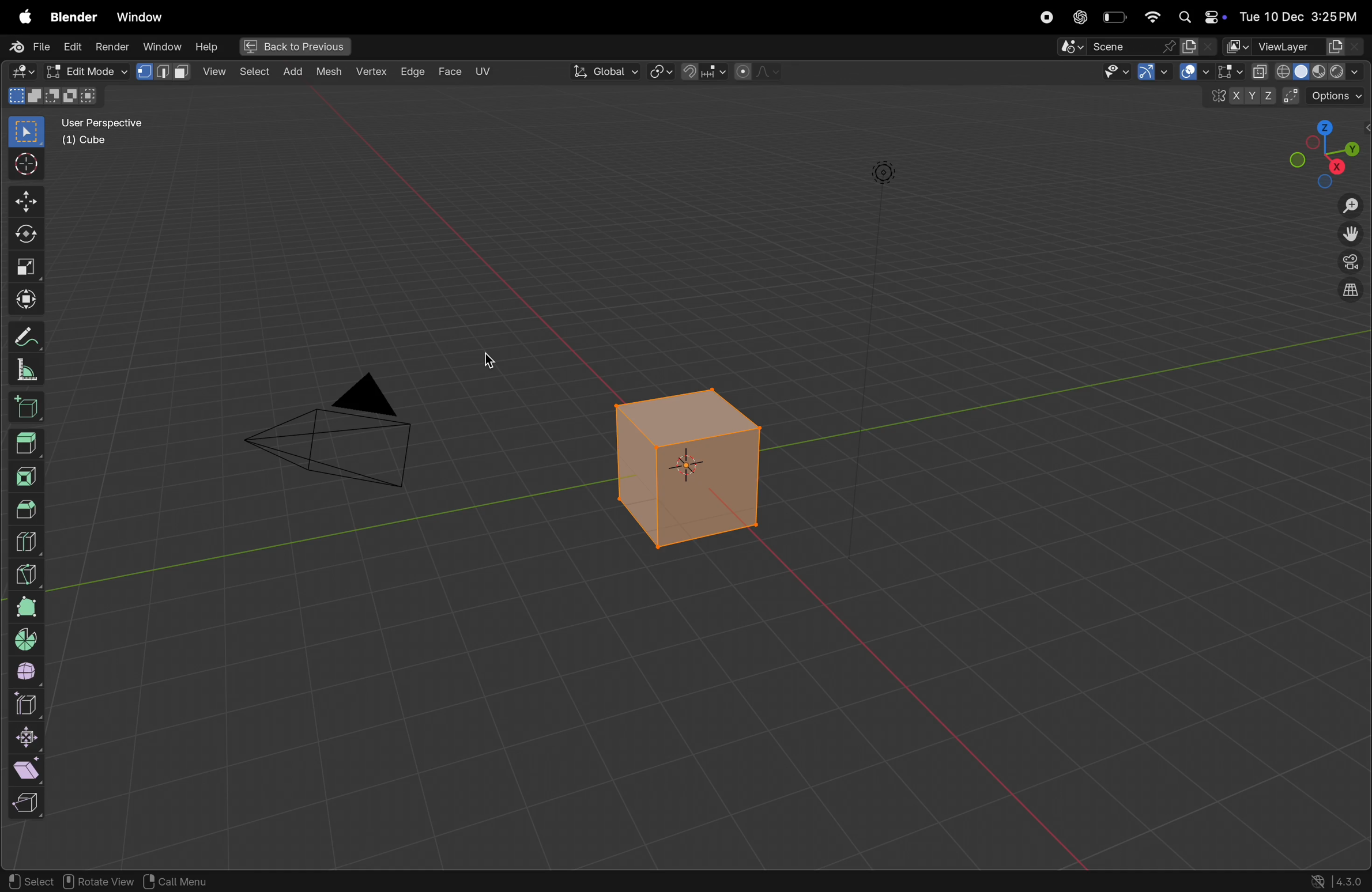 Image resolution: width=1372 pixels, height=892 pixels. What do you see at coordinates (1114, 18) in the screenshot?
I see `battery` at bounding box center [1114, 18].